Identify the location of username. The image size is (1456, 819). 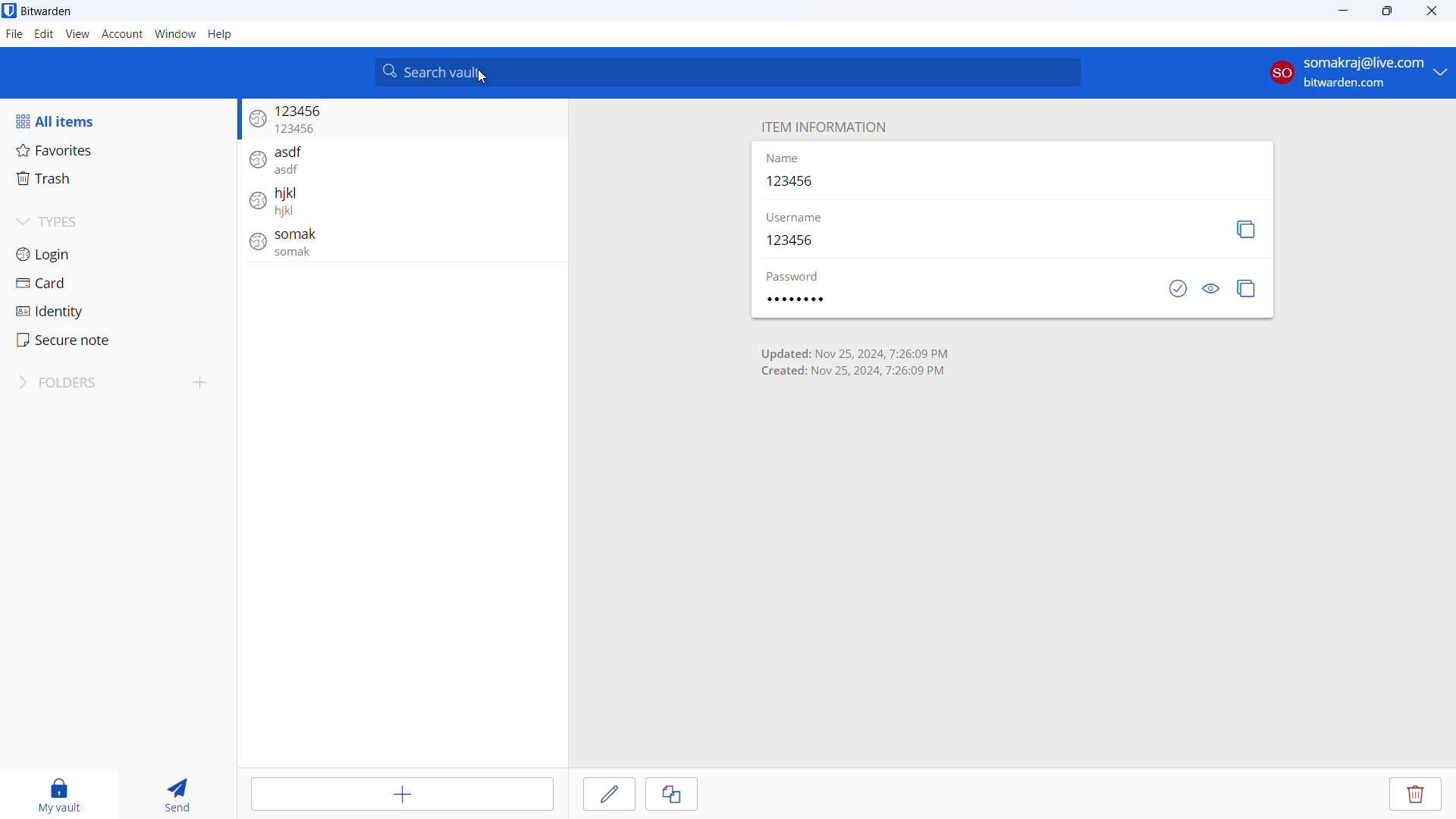
(795, 218).